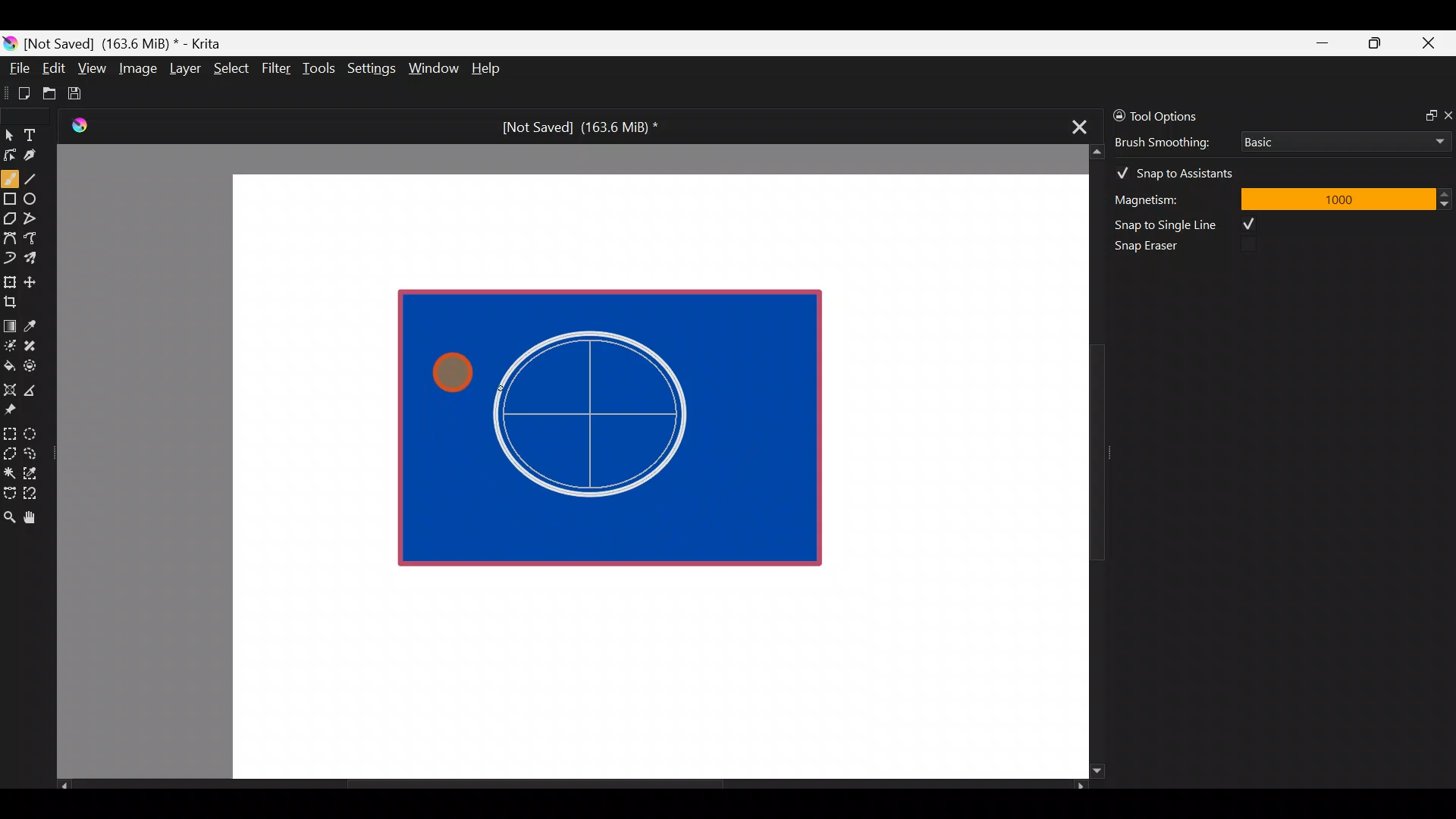  Describe the element at coordinates (137, 68) in the screenshot. I see `Image` at that location.